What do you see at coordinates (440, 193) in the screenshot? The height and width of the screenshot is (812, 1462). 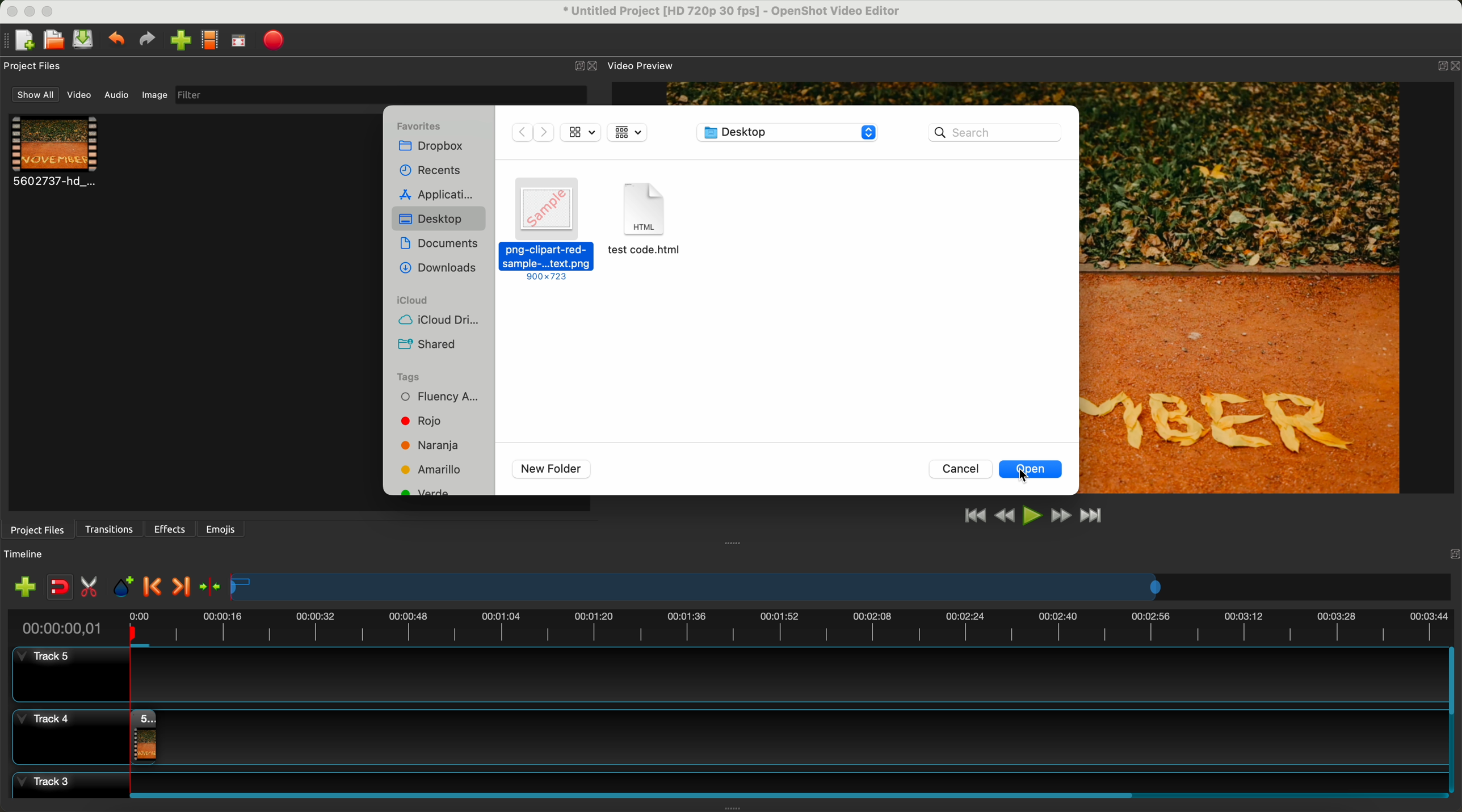 I see `applications` at bounding box center [440, 193].